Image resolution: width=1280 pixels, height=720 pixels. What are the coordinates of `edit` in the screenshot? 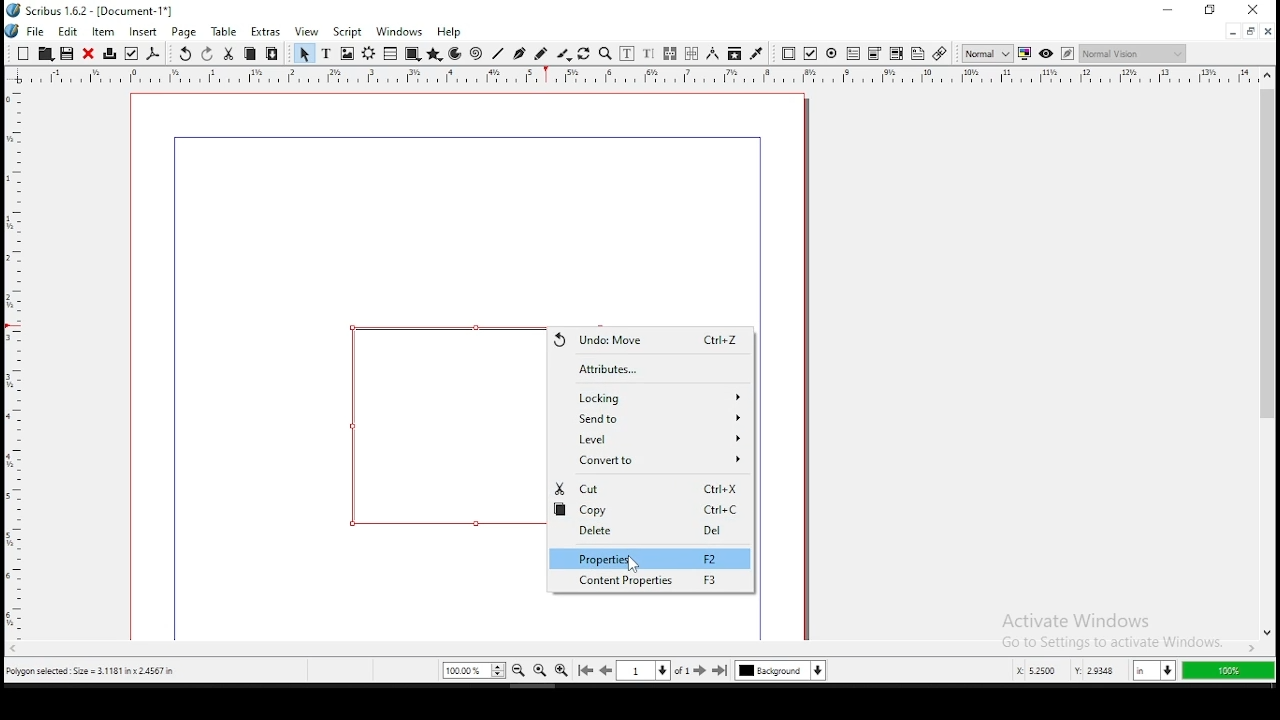 It's located at (68, 31).